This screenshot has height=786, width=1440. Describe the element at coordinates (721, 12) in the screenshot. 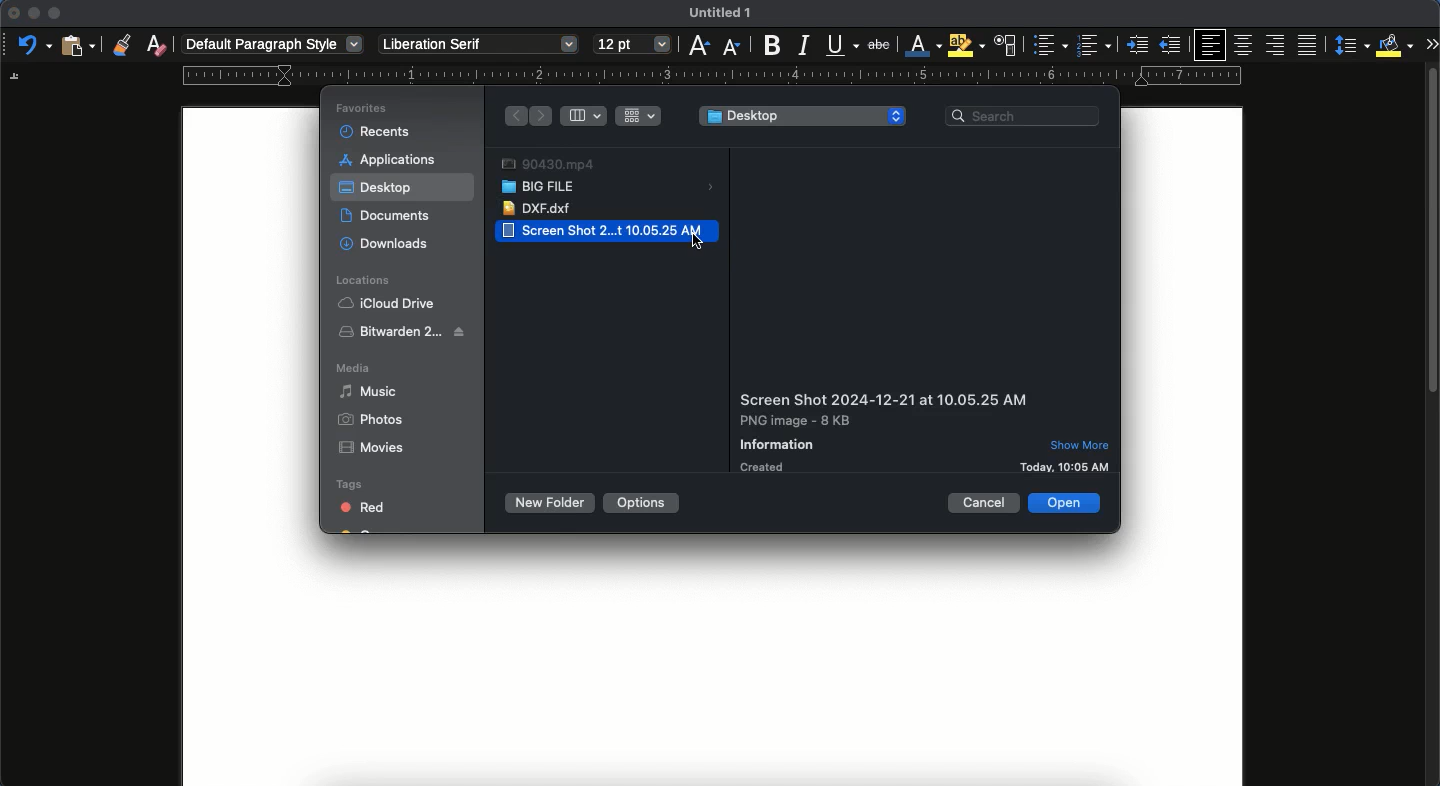

I see `untitled 1` at that location.